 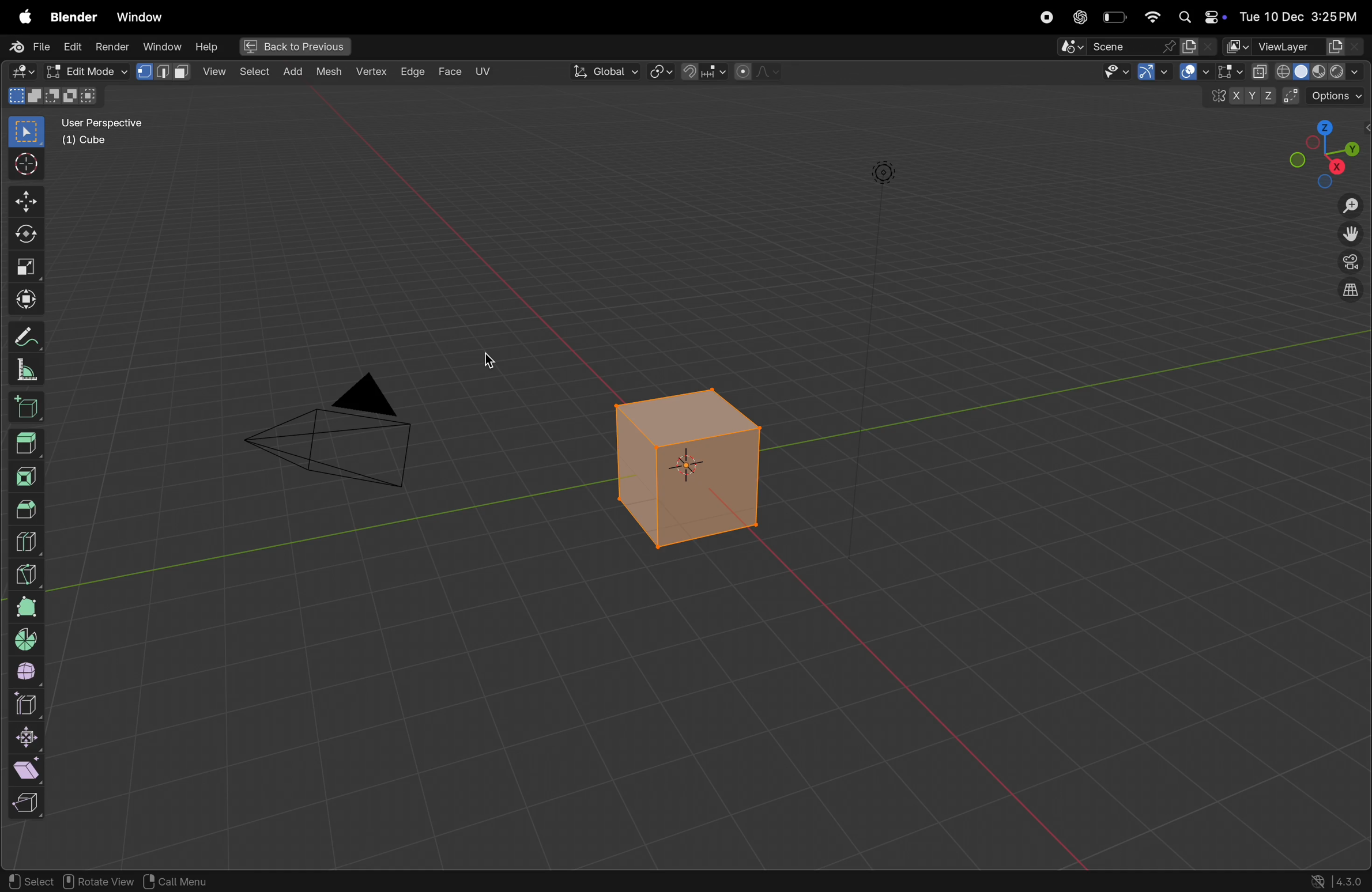 What do you see at coordinates (31, 769) in the screenshot?
I see `sheer` at bounding box center [31, 769].